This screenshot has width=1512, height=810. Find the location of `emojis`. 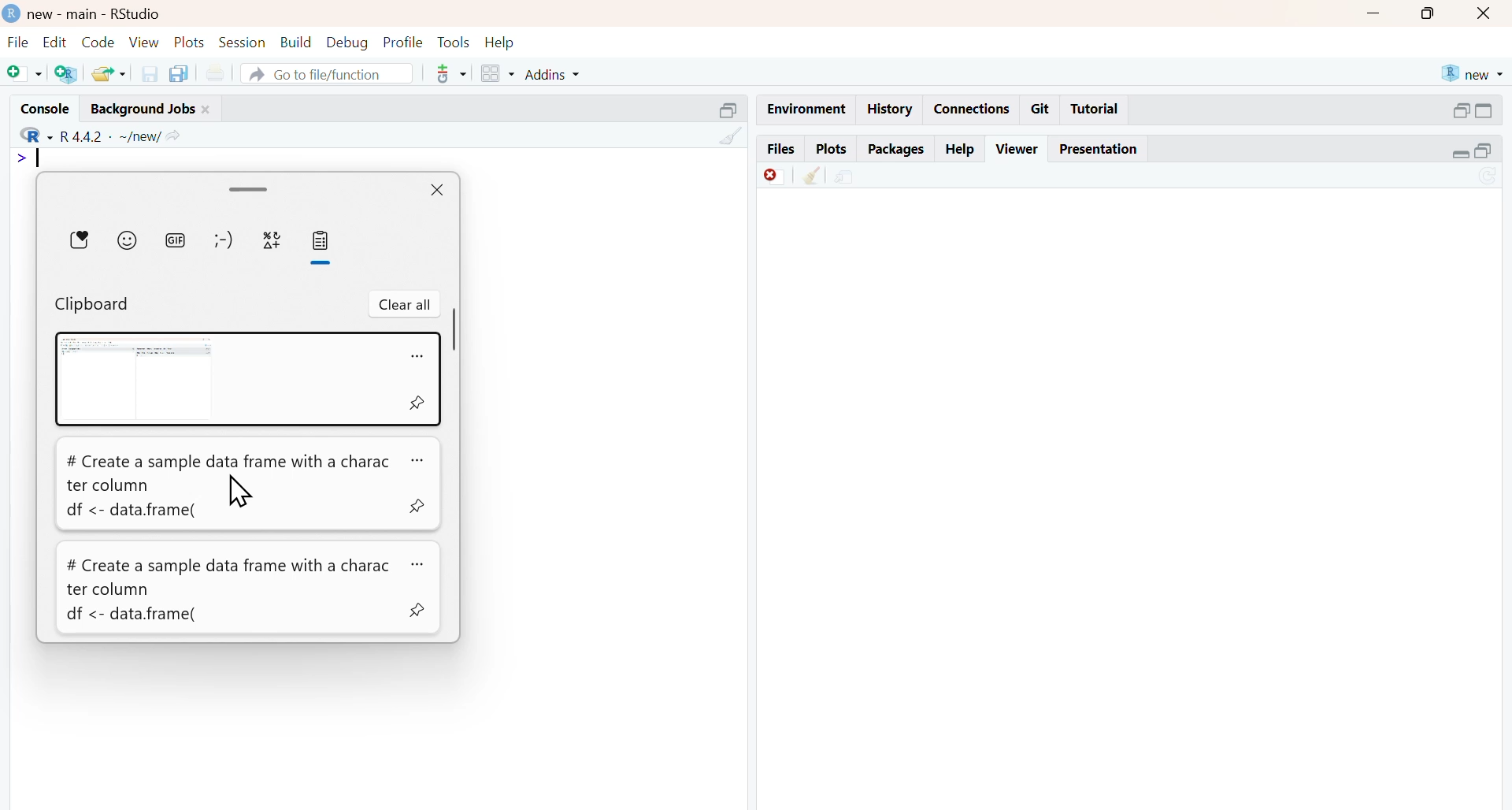

emojis is located at coordinates (128, 240).